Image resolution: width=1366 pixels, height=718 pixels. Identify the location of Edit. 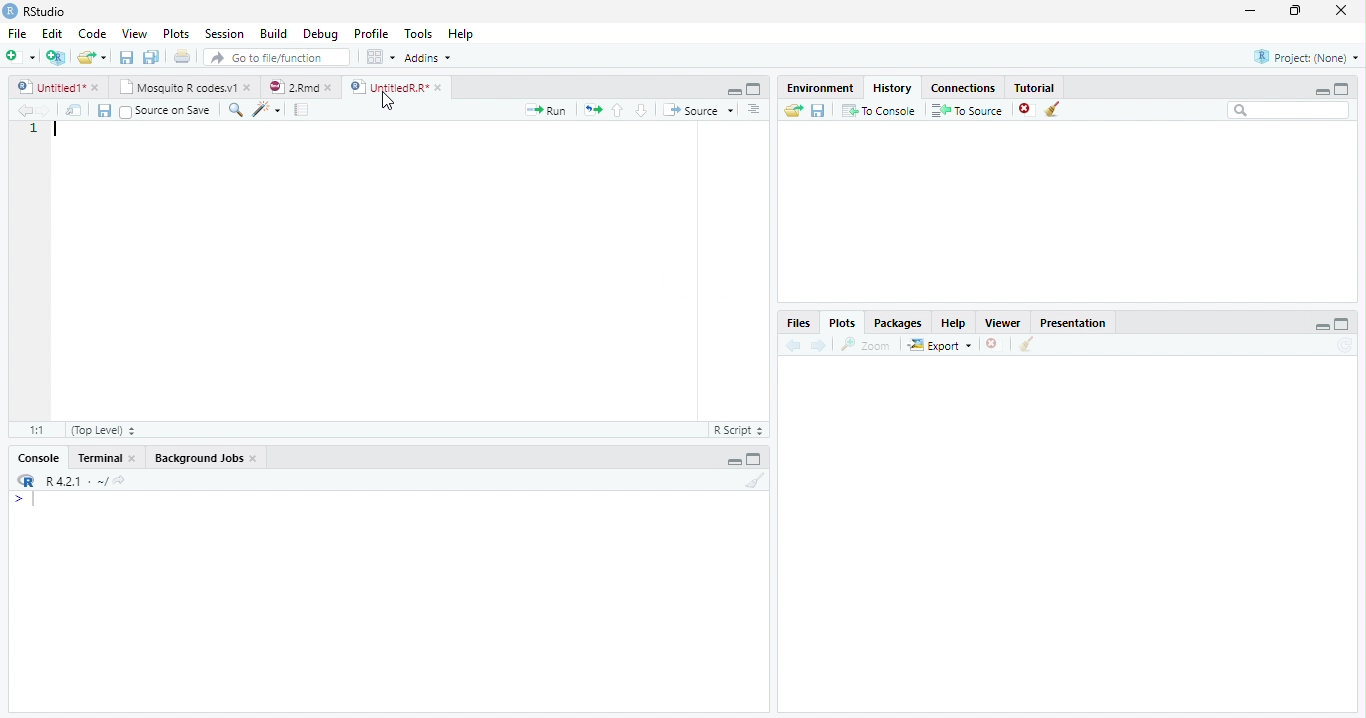
(52, 34).